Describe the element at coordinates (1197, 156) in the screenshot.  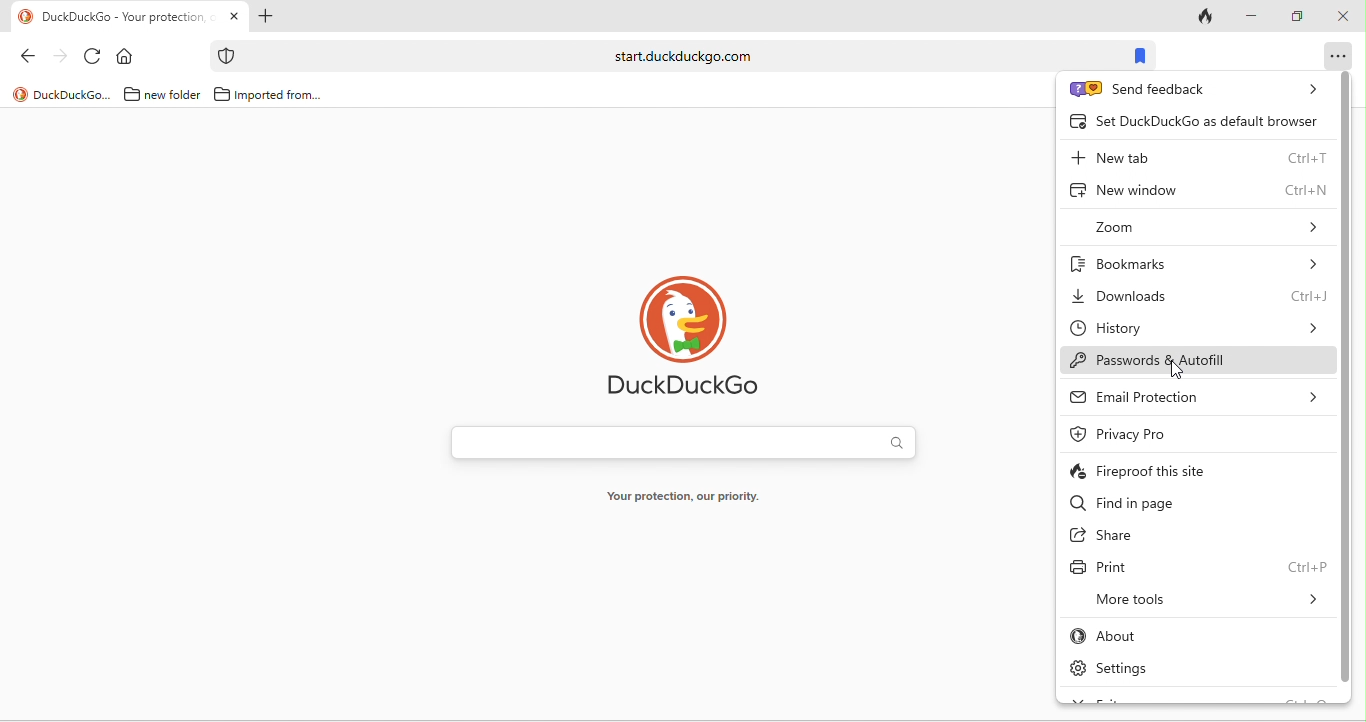
I see `new tab` at that location.